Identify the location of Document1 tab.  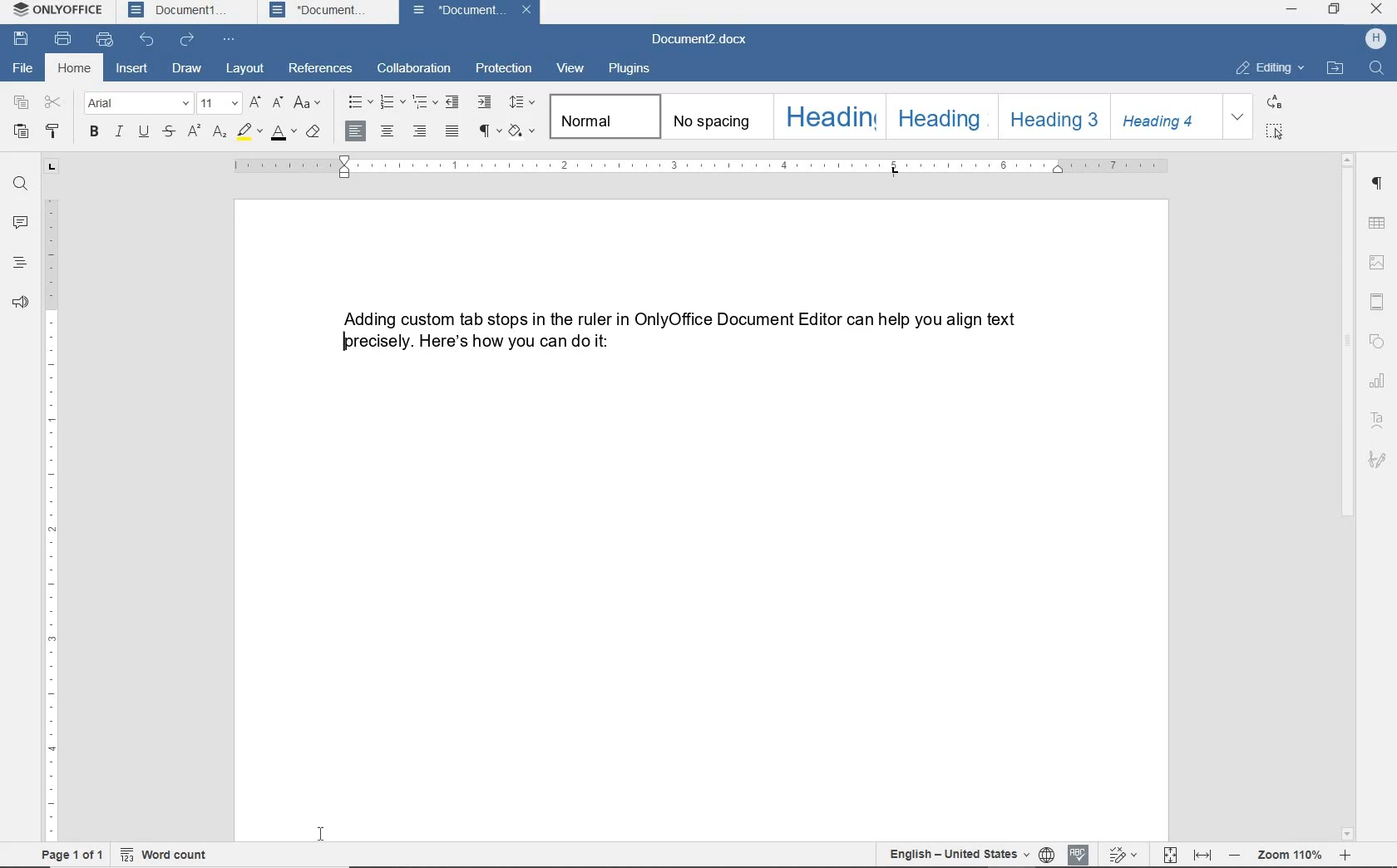
(180, 11).